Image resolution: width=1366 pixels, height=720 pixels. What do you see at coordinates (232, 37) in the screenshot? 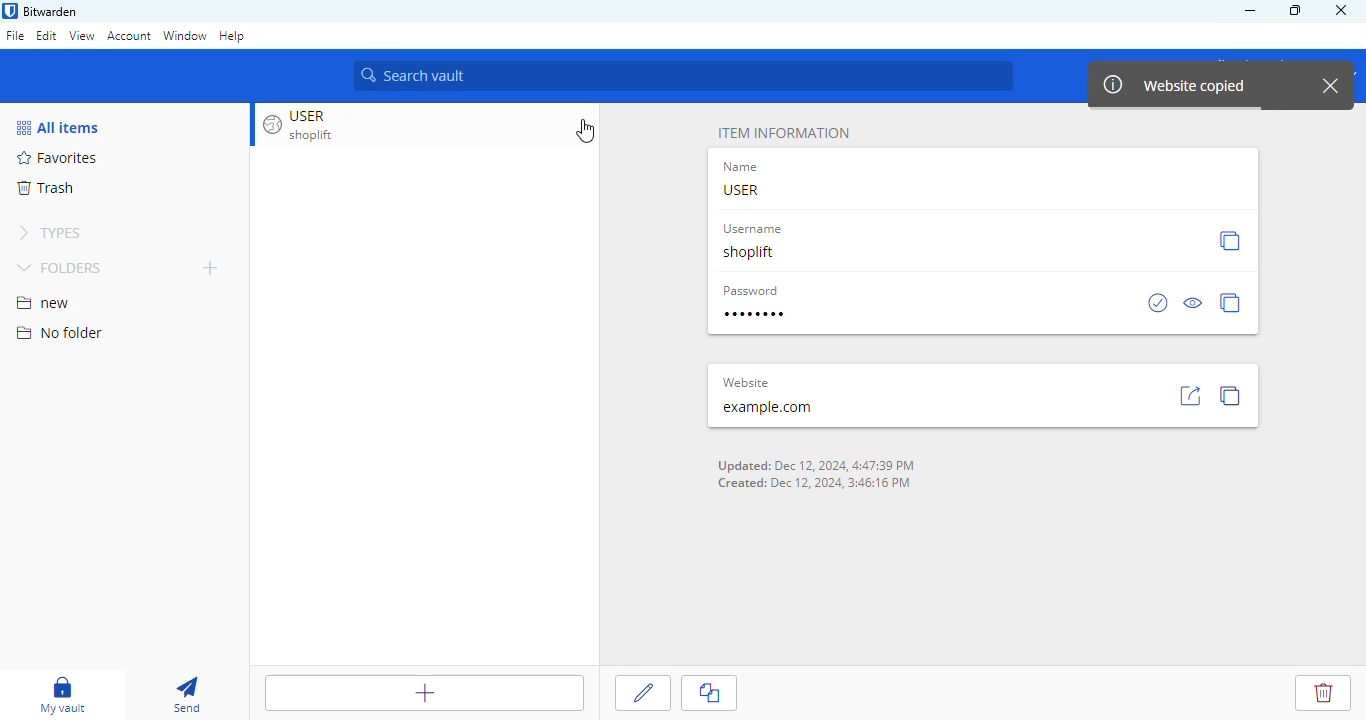
I see `help` at bounding box center [232, 37].